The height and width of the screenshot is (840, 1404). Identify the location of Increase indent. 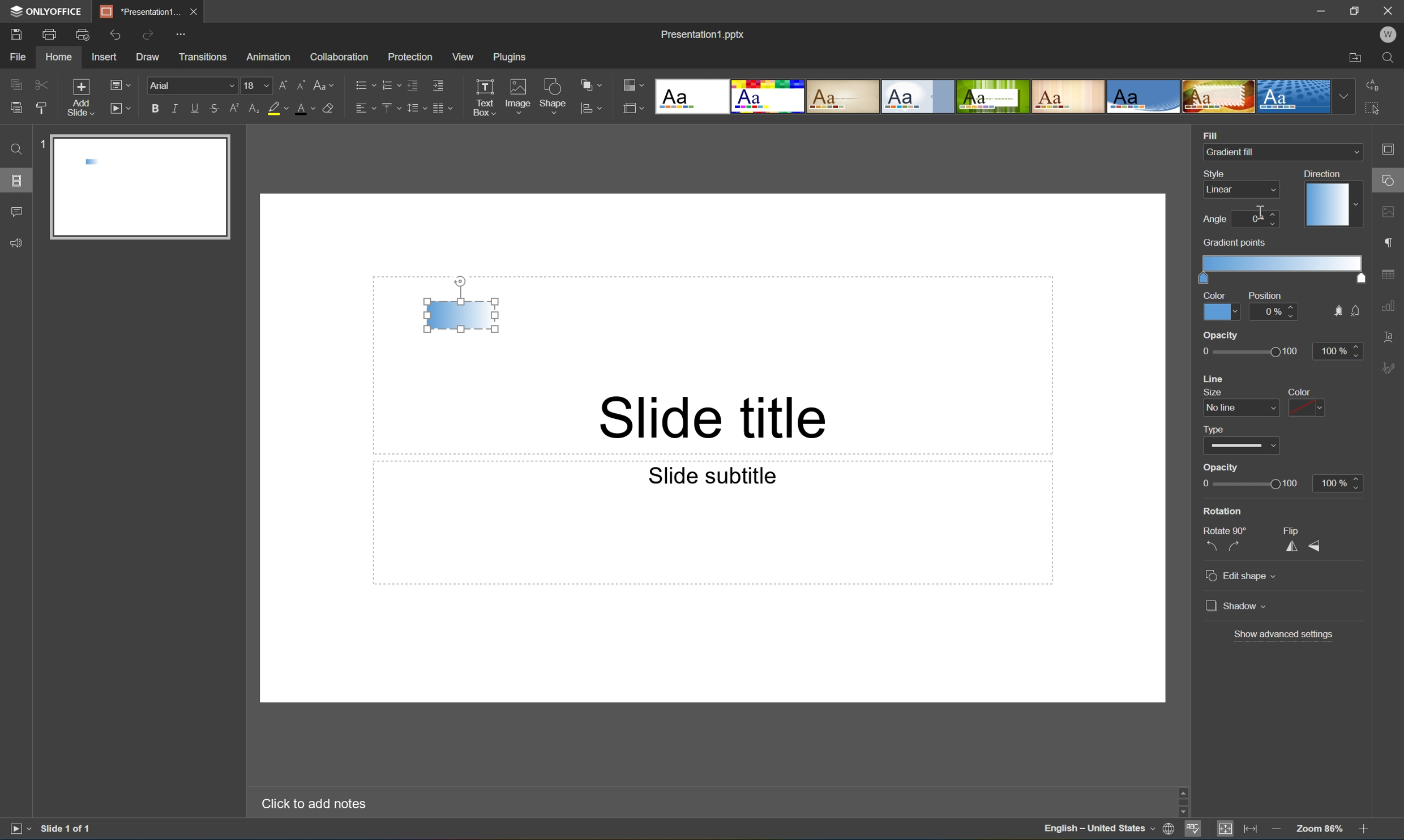
(437, 84).